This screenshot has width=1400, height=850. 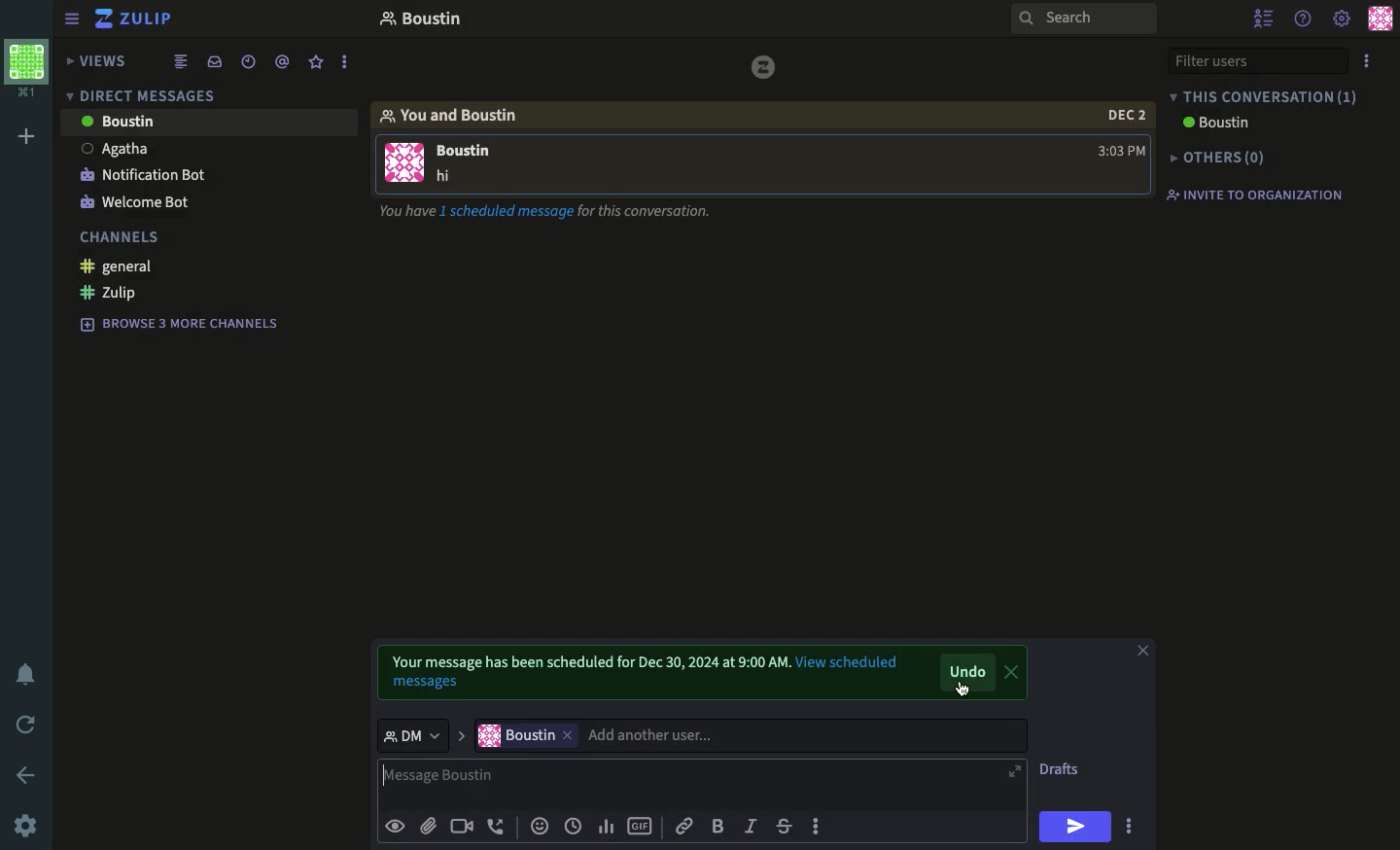 What do you see at coordinates (144, 175) in the screenshot?
I see `notification bot` at bounding box center [144, 175].